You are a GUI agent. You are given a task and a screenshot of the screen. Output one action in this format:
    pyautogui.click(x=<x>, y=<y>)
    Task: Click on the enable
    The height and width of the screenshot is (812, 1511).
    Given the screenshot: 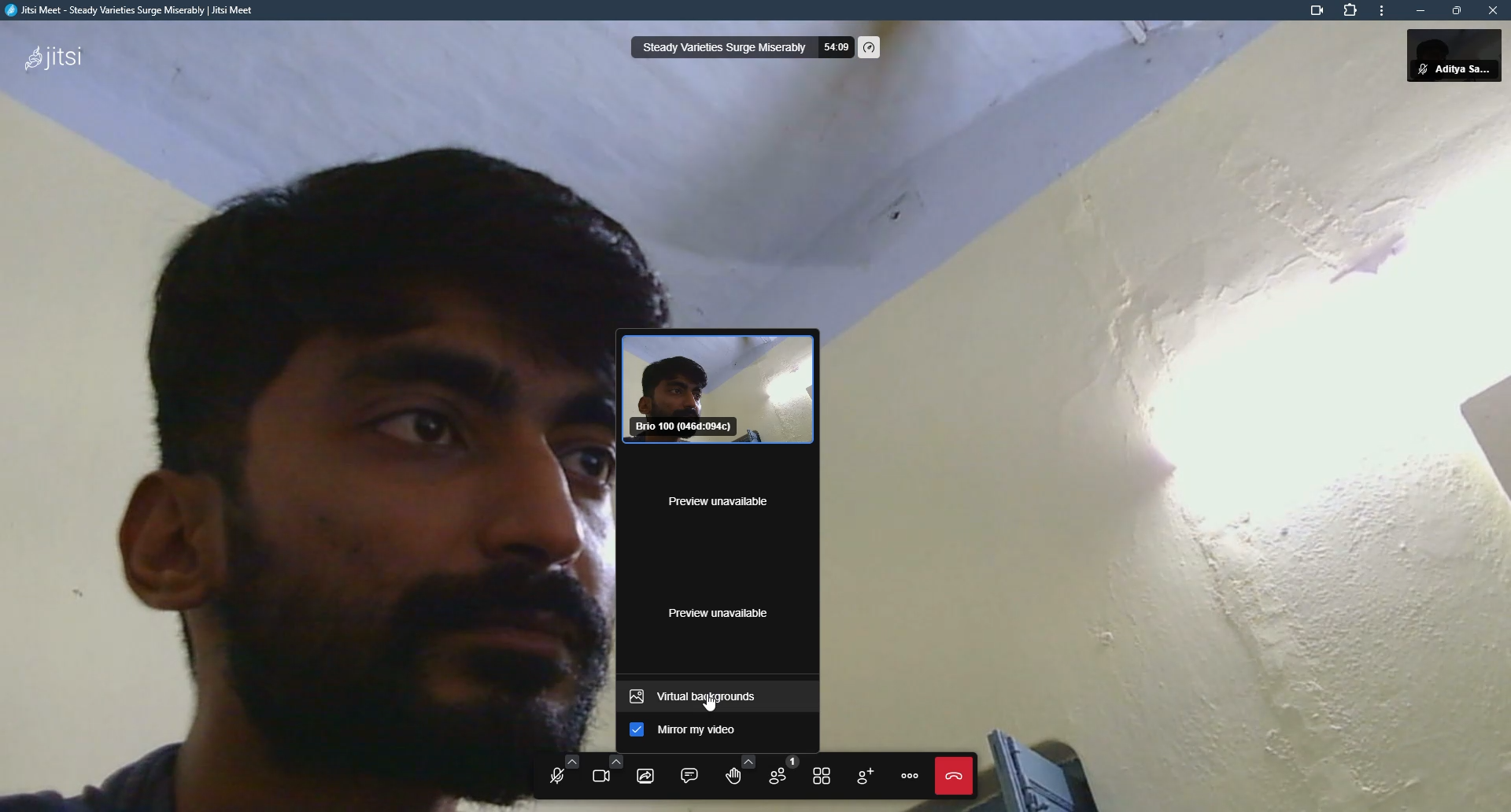 What is the action you would take?
    pyautogui.click(x=635, y=732)
    